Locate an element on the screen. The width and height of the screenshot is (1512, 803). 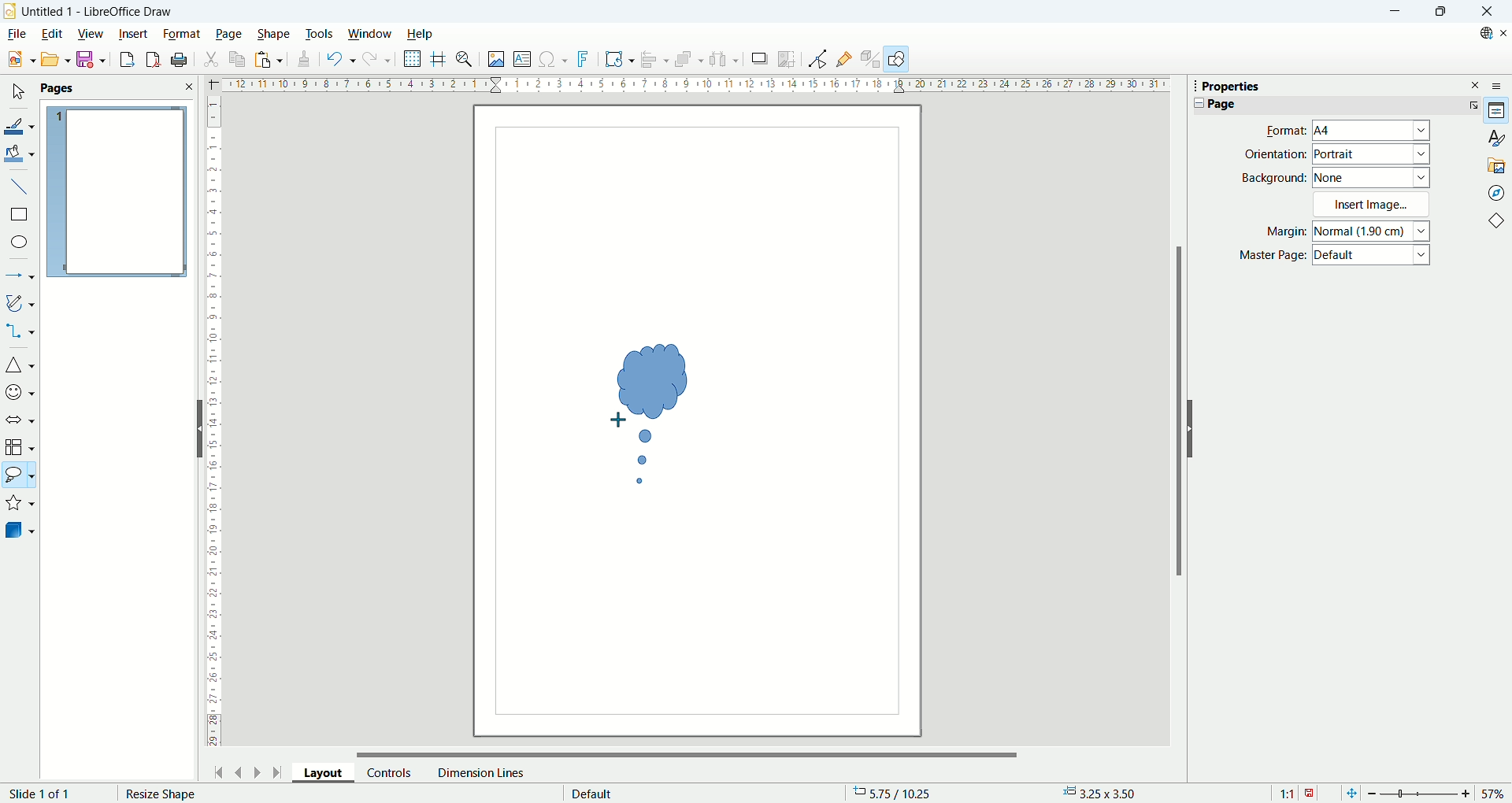
page is located at coordinates (229, 35).